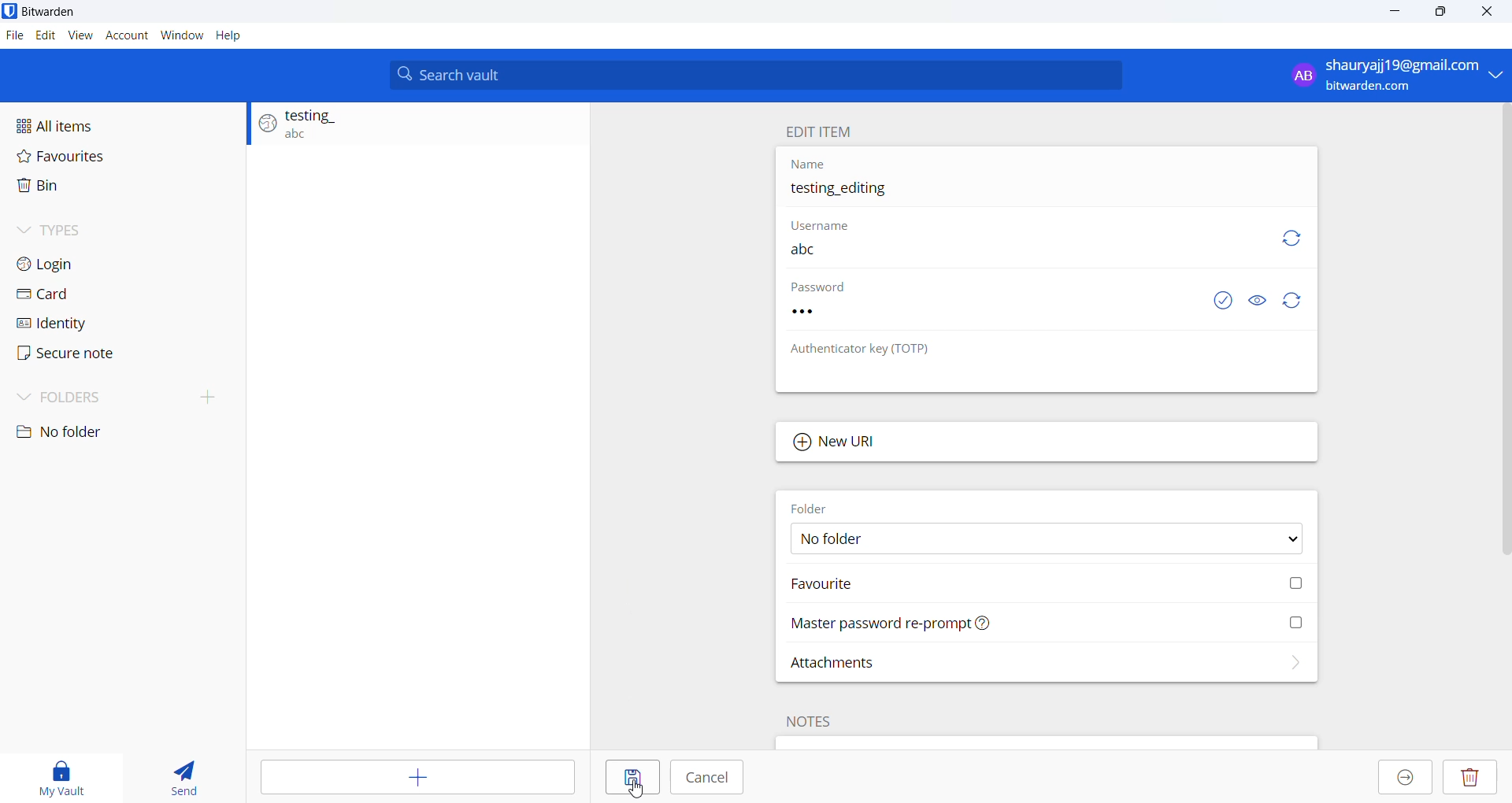 The width and height of the screenshot is (1512, 803). What do you see at coordinates (78, 434) in the screenshot?
I see `No folder` at bounding box center [78, 434].